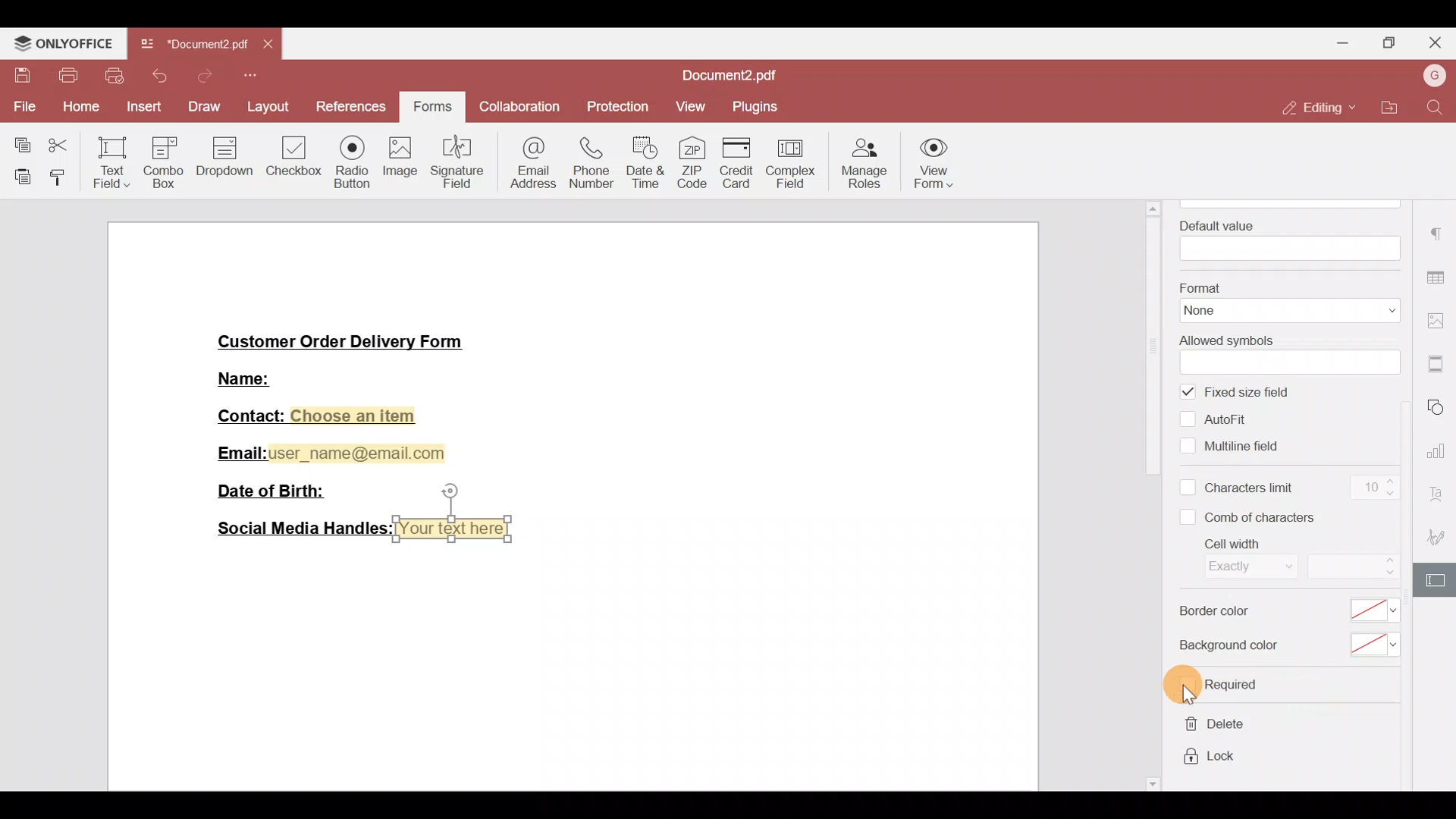 The height and width of the screenshot is (819, 1456). What do you see at coordinates (1438, 359) in the screenshot?
I see `More settings` at bounding box center [1438, 359].